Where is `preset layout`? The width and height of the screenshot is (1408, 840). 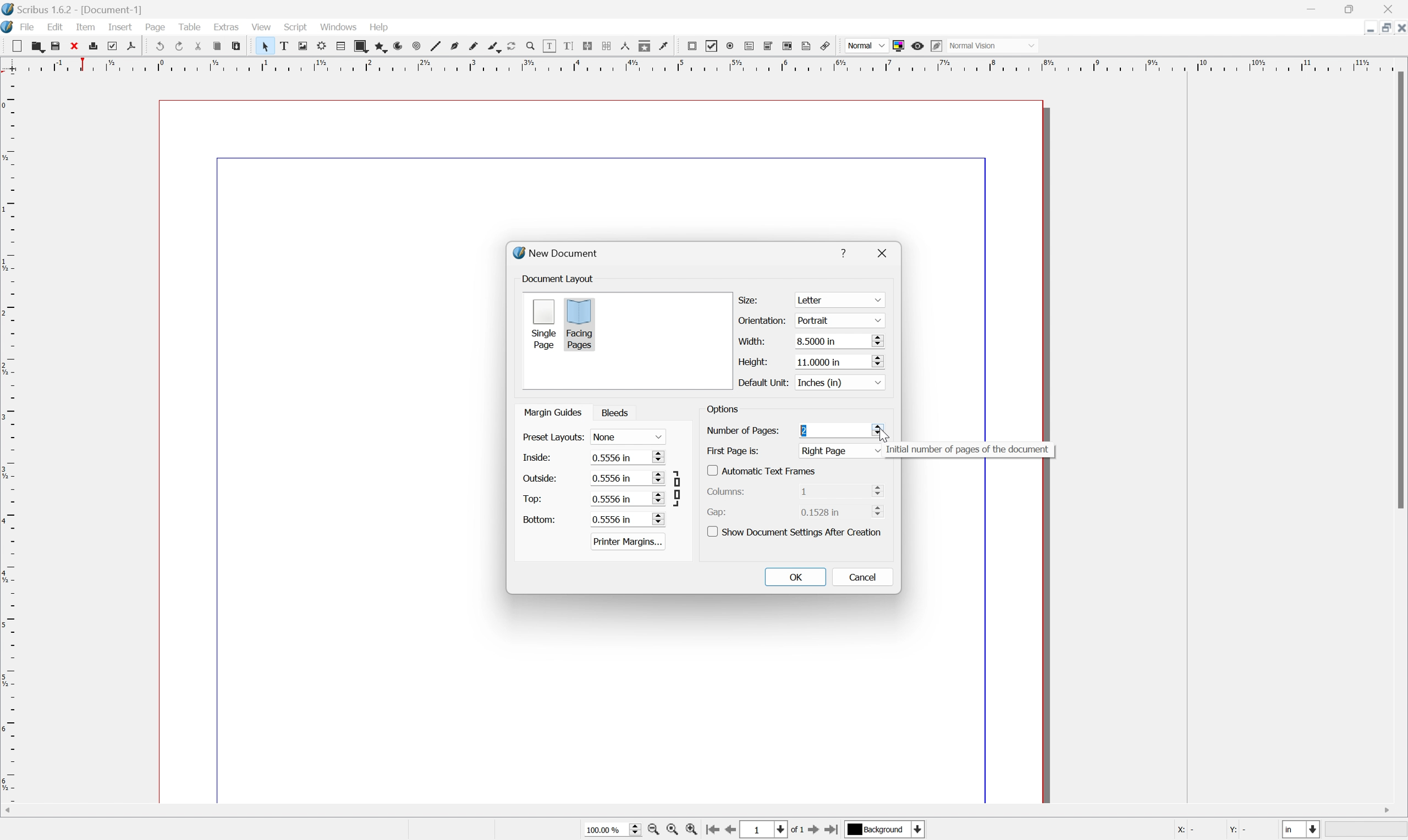
preset layout is located at coordinates (552, 438).